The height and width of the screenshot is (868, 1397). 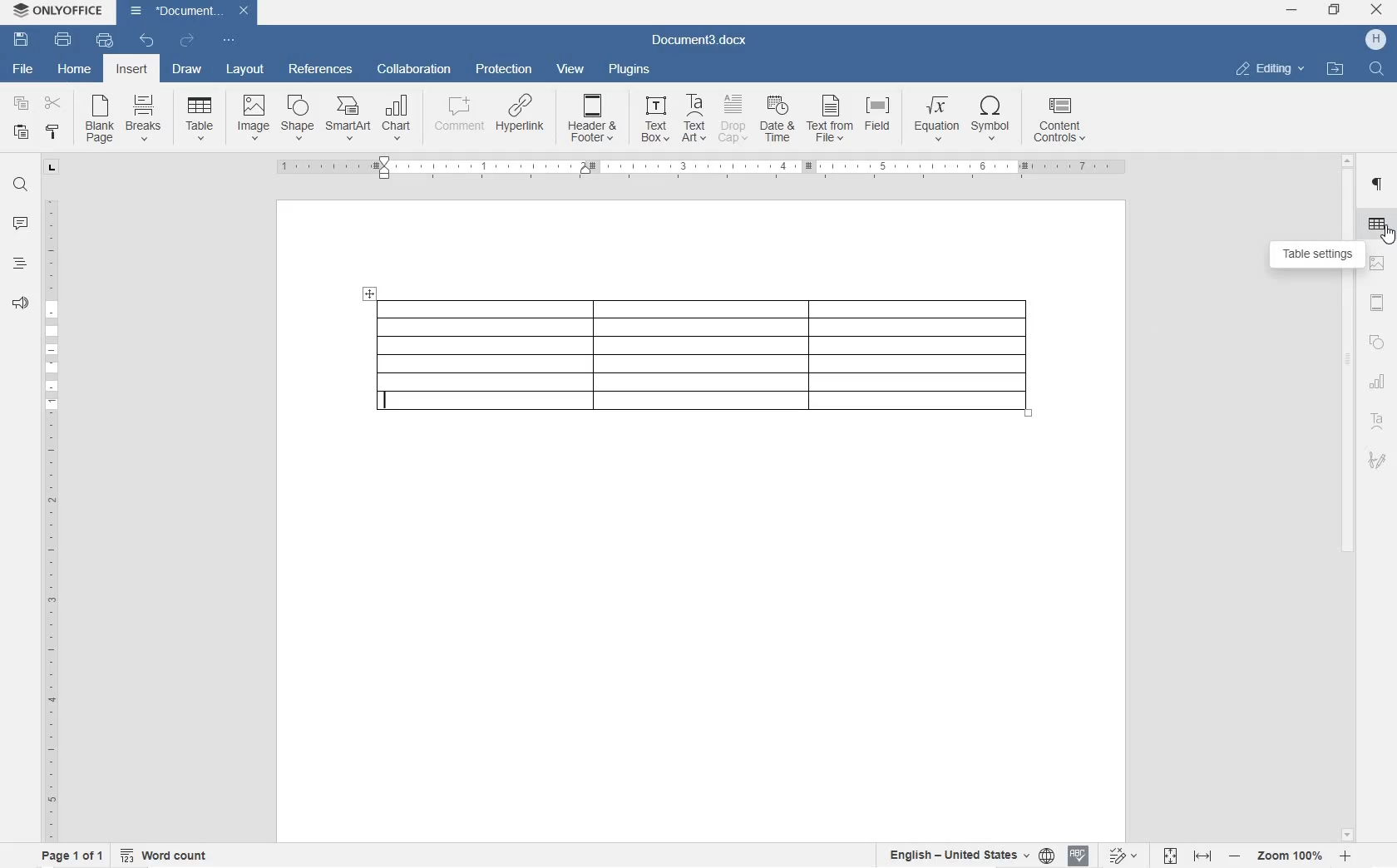 I want to click on ONLYOFFICE, so click(x=58, y=12).